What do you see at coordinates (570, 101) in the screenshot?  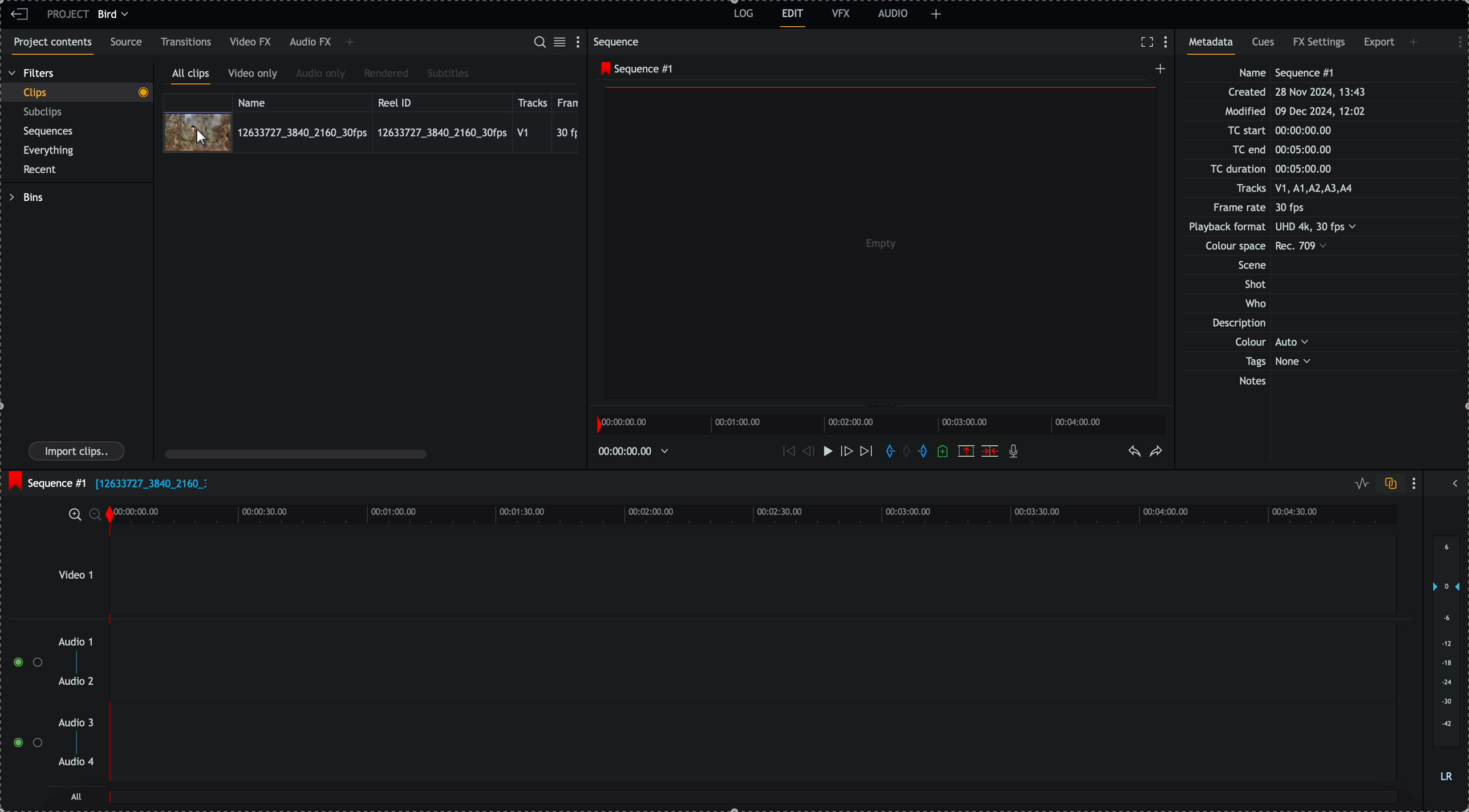 I see `frame` at bounding box center [570, 101].